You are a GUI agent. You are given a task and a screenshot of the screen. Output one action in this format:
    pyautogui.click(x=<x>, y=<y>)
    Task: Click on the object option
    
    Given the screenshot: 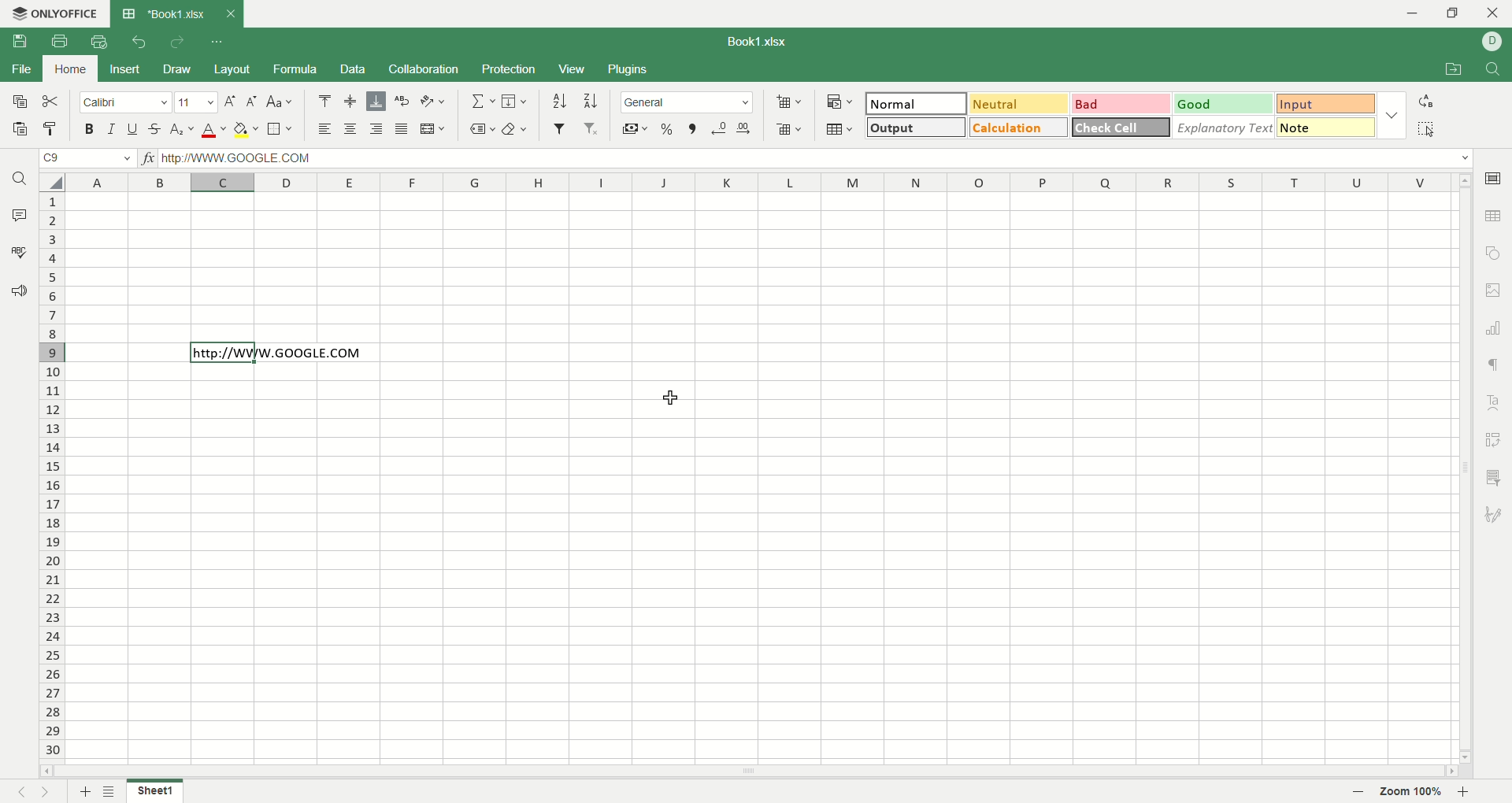 What is the action you would take?
    pyautogui.click(x=1495, y=252)
    